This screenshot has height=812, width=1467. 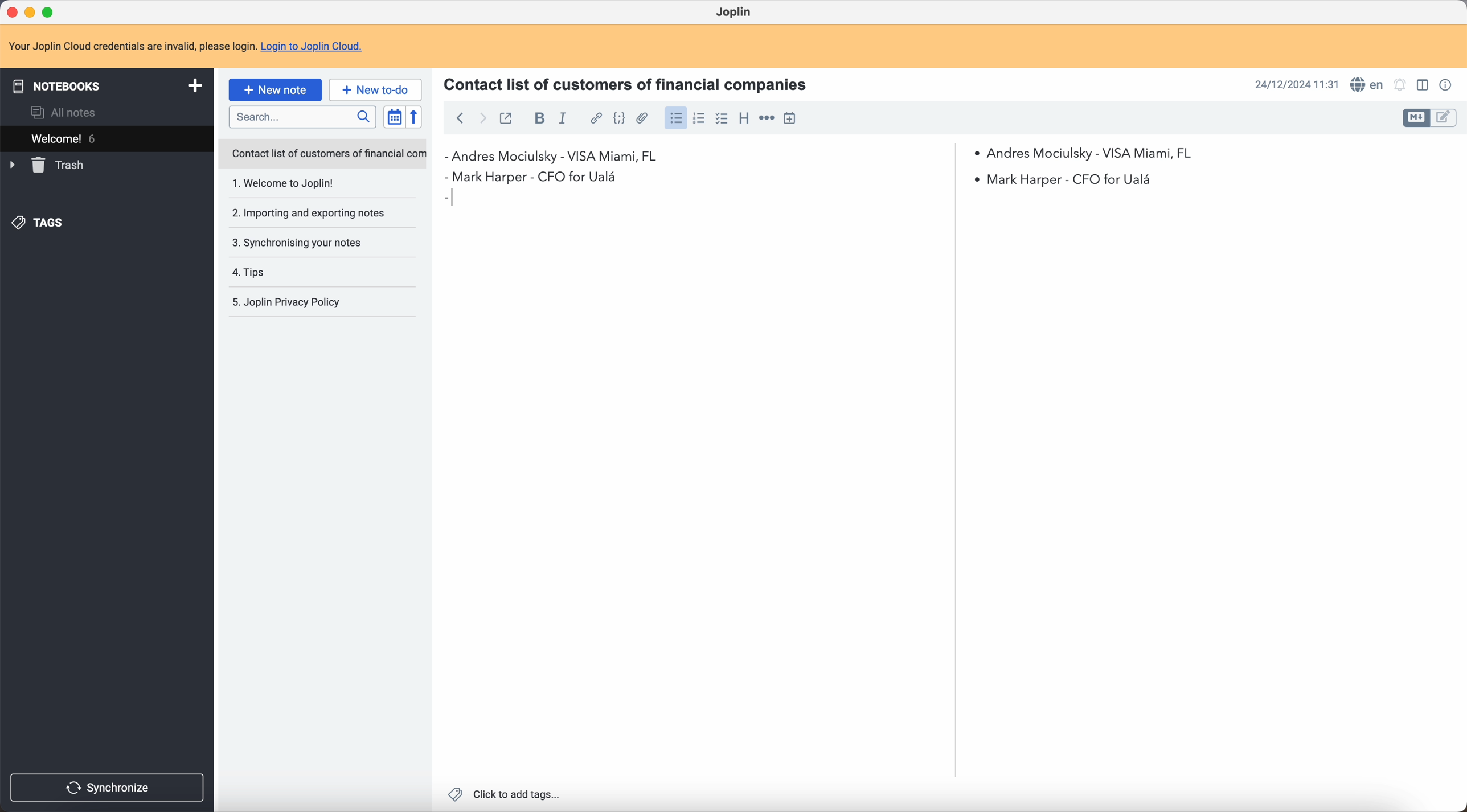 What do you see at coordinates (460, 117) in the screenshot?
I see `back` at bounding box center [460, 117].